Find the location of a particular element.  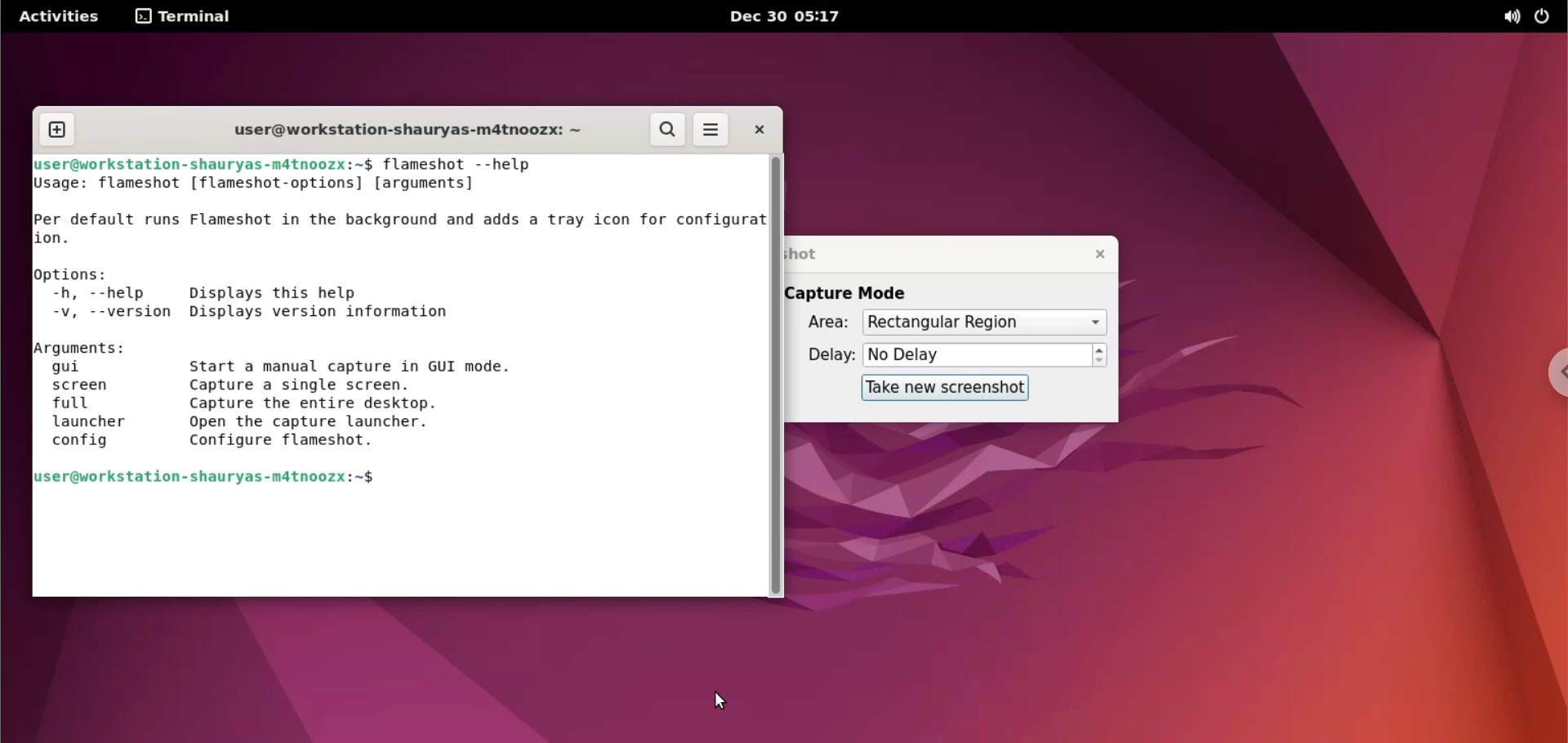

-v, --version is located at coordinates (105, 314).